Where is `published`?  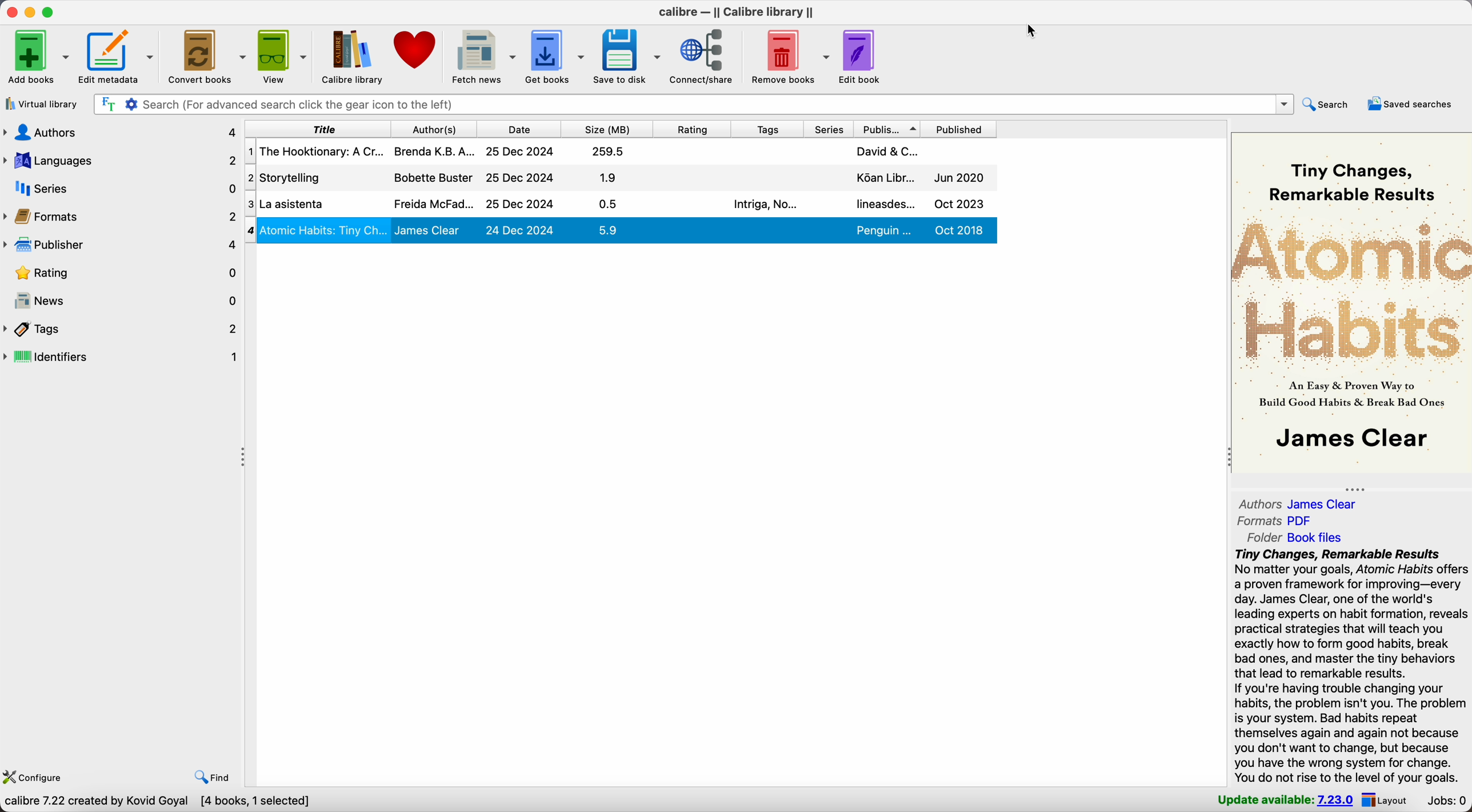
published is located at coordinates (959, 128).